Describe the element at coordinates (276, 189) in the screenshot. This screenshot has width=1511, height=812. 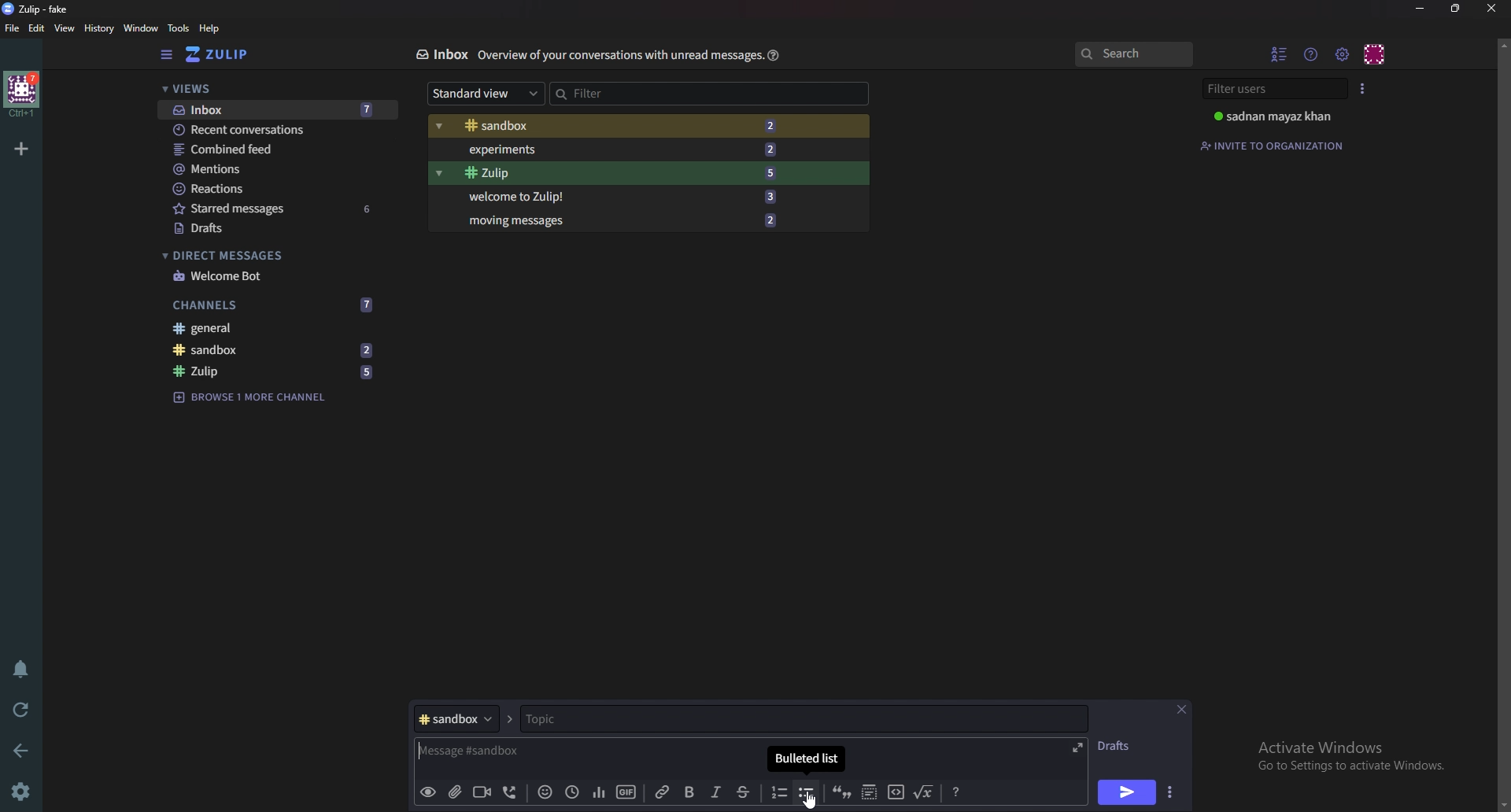
I see `Reactions` at that location.